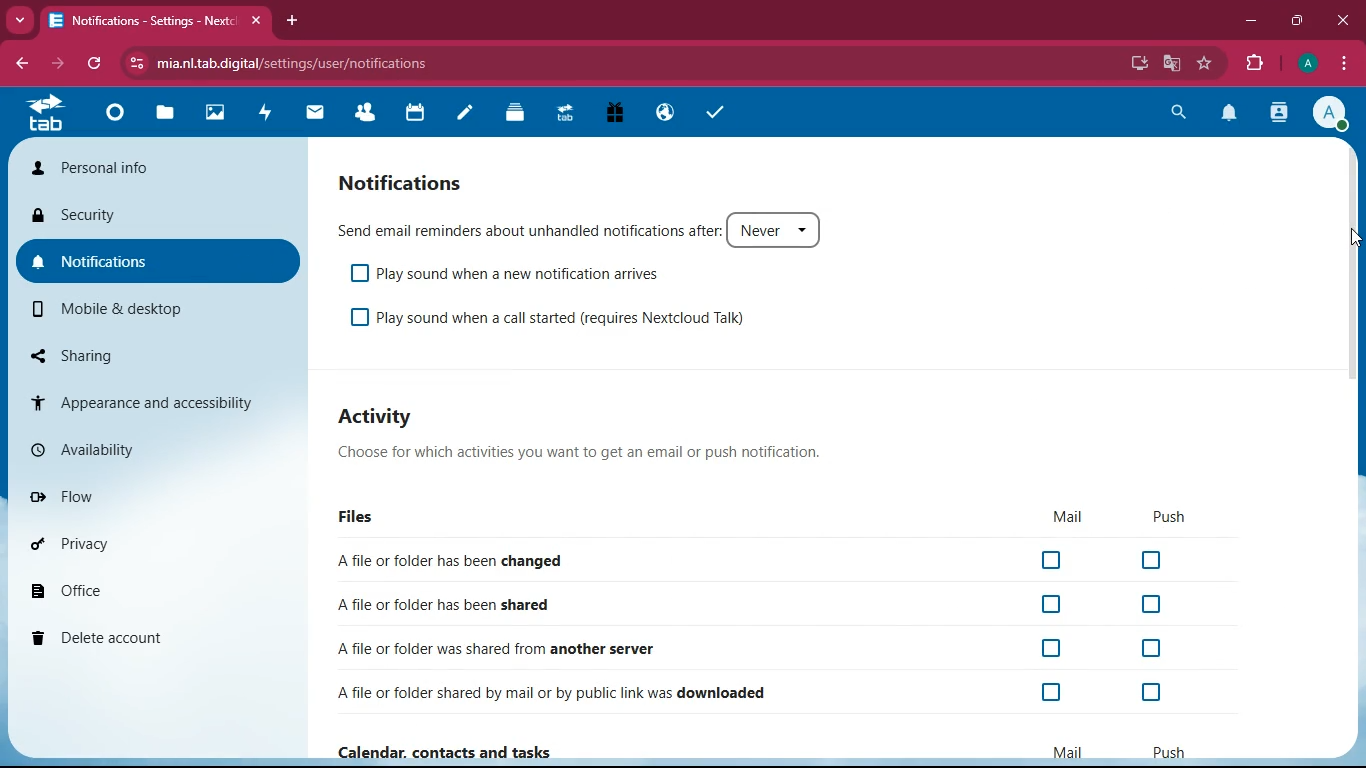 This screenshot has height=768, width=1366. I want to click on tab, so click(51, 112).